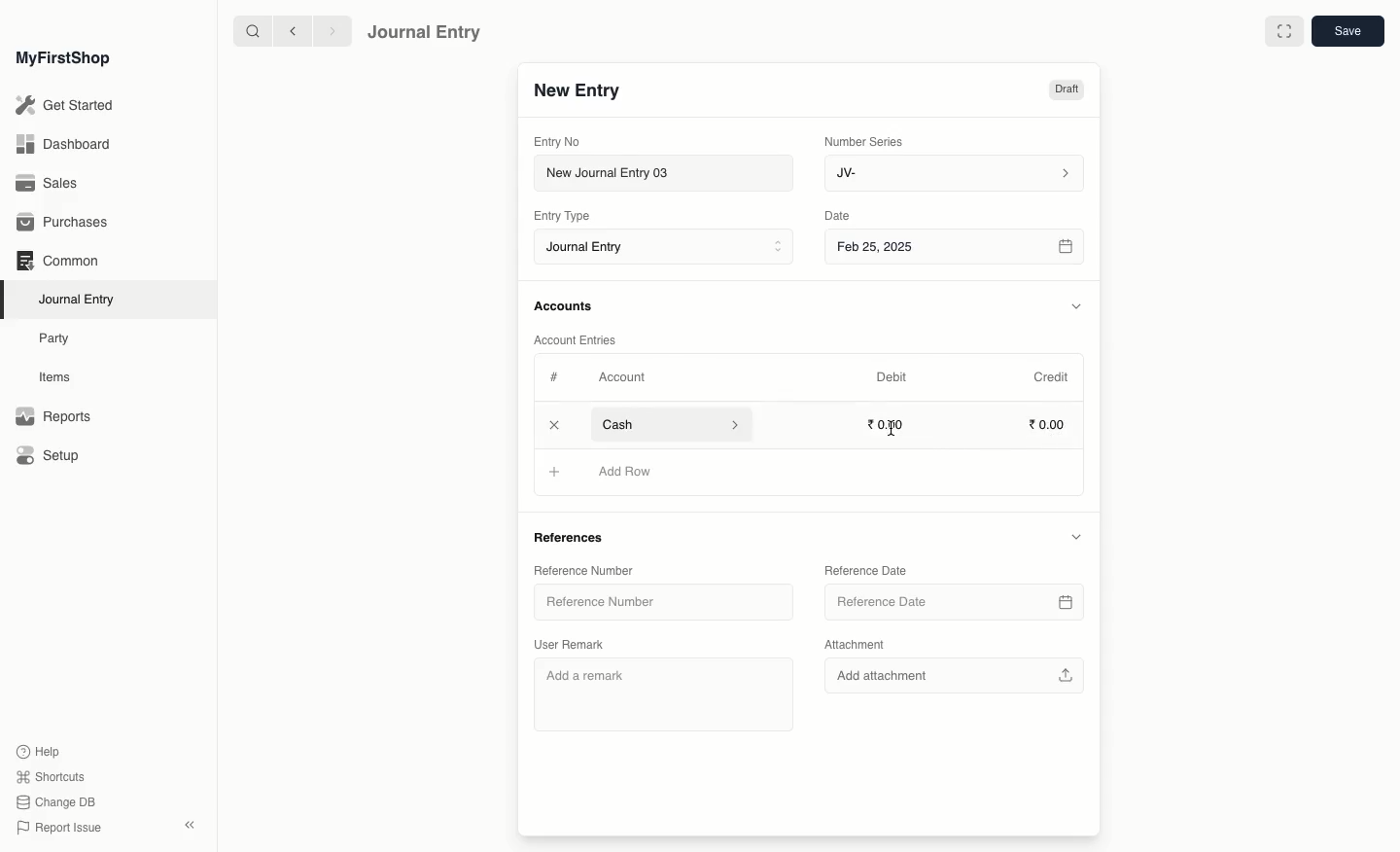 Image resolution: width=1400 pixels, height=852 pixels. Describe the element at coordinates (48, 775) in the screenshot. I see `Shortcuts` at that location.